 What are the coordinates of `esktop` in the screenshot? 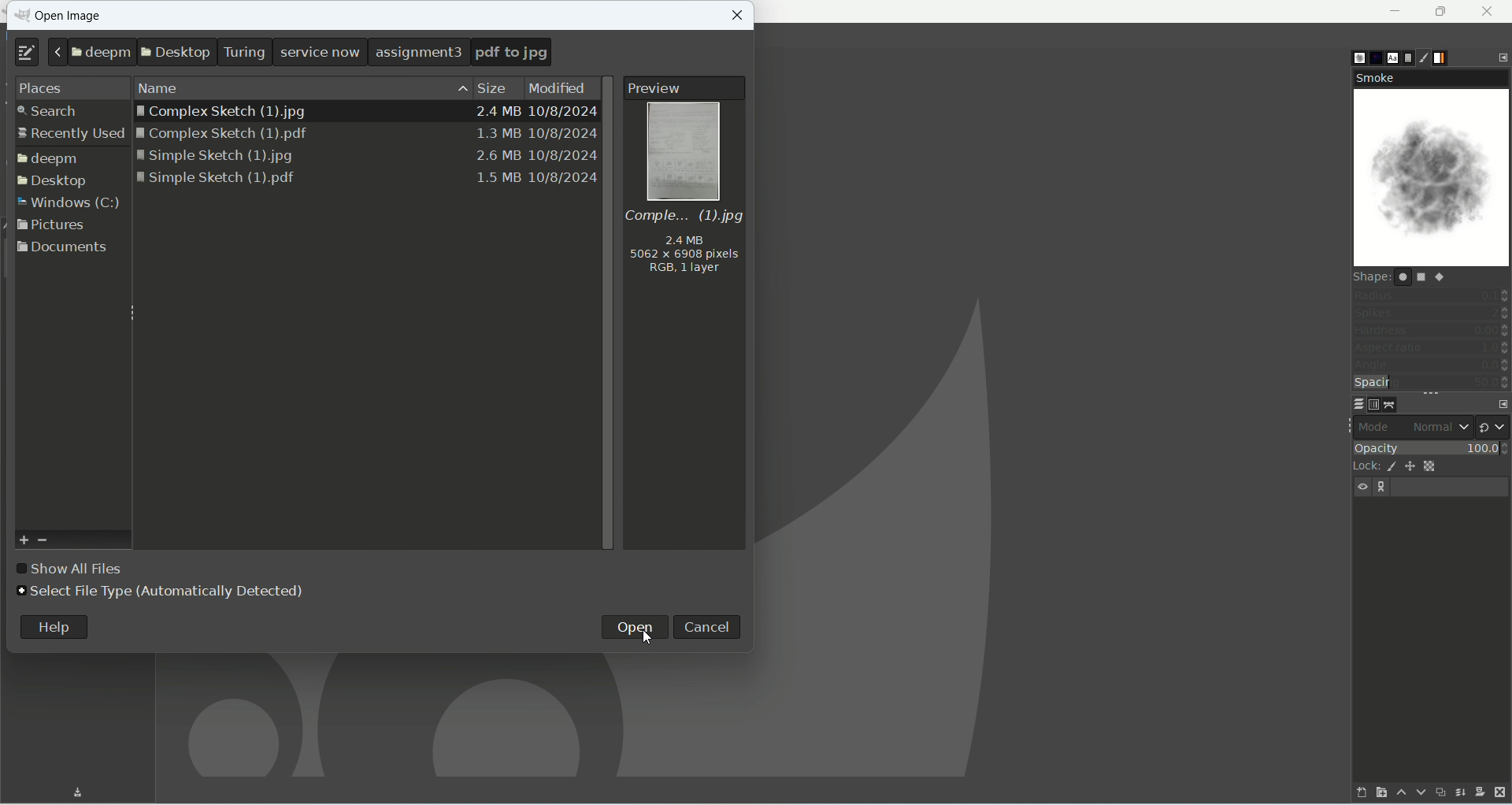 It's located at (58, 181).